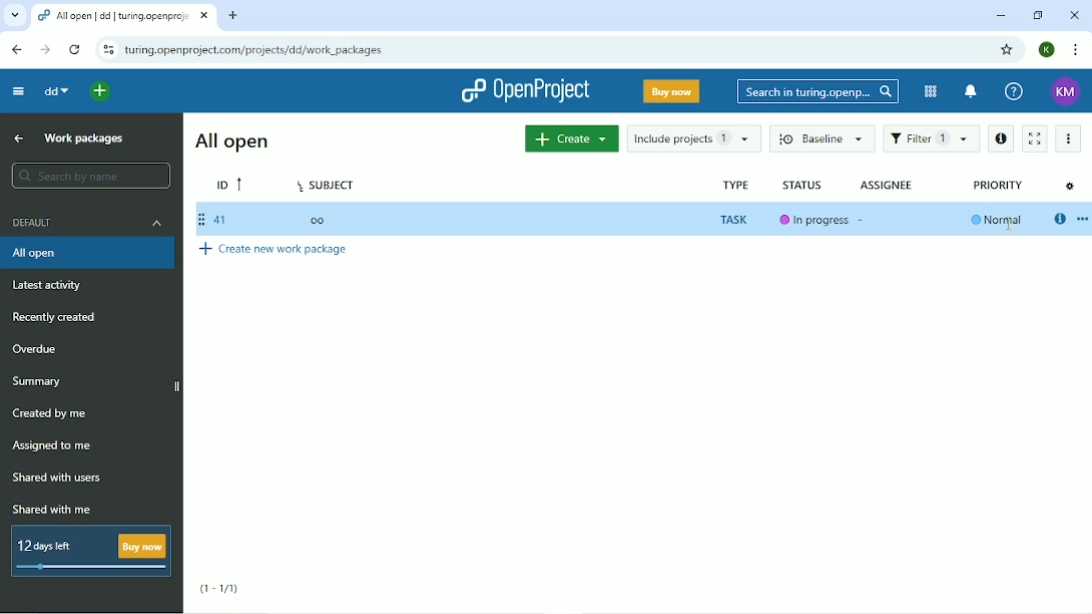  Describe the element at coordinates (19, 138) in the screenshot. I see `Up` at that location.